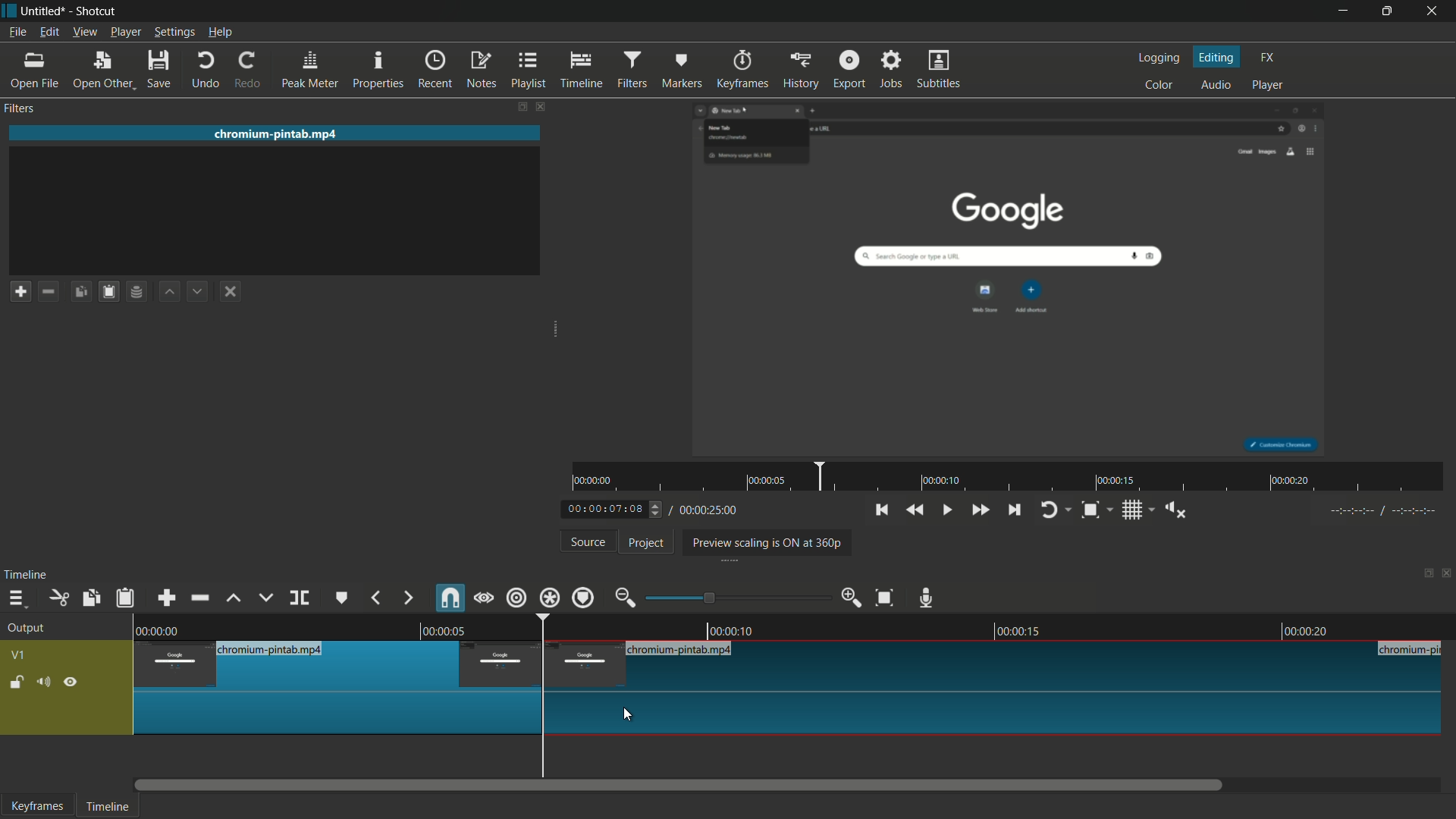  I want to click on move filter down, so click(196, 291).